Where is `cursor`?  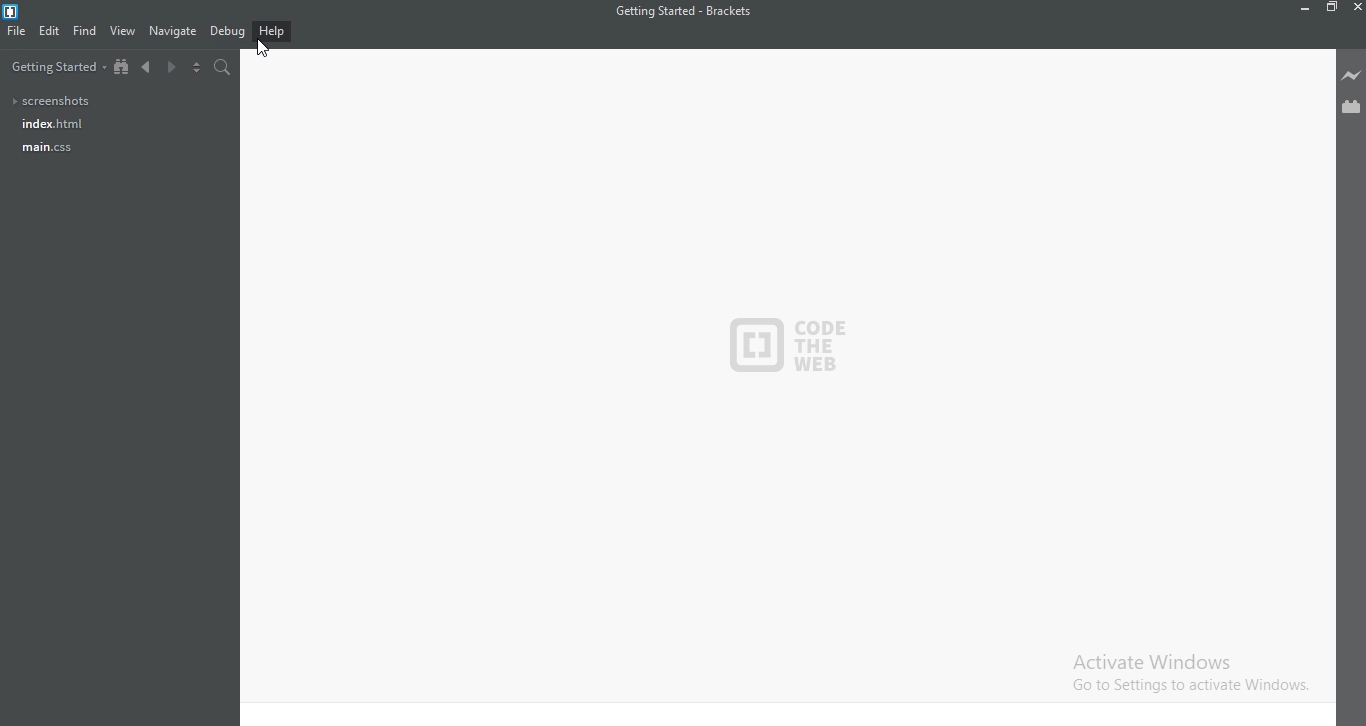 cursor is located at coordinates (267, 49).